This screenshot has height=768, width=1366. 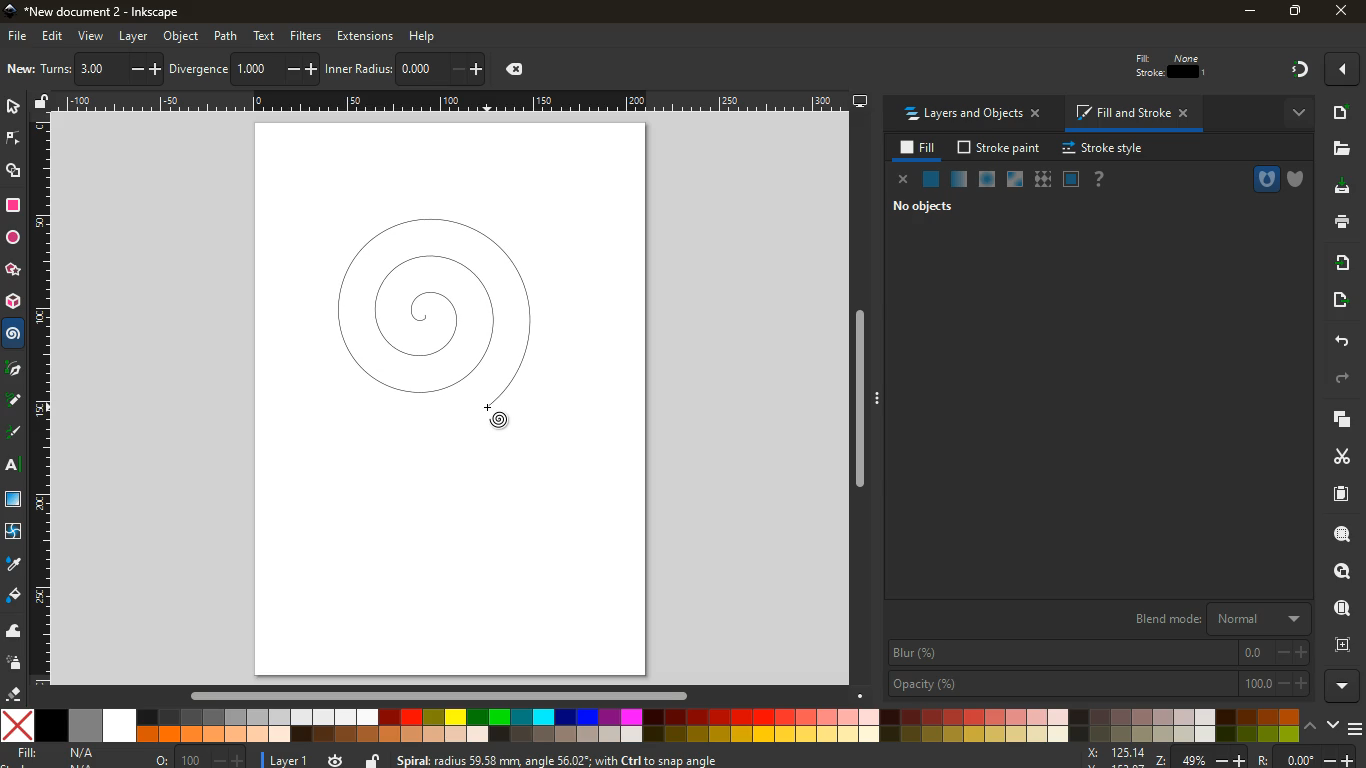 I want to click on print, so click(x=1340, y=223).